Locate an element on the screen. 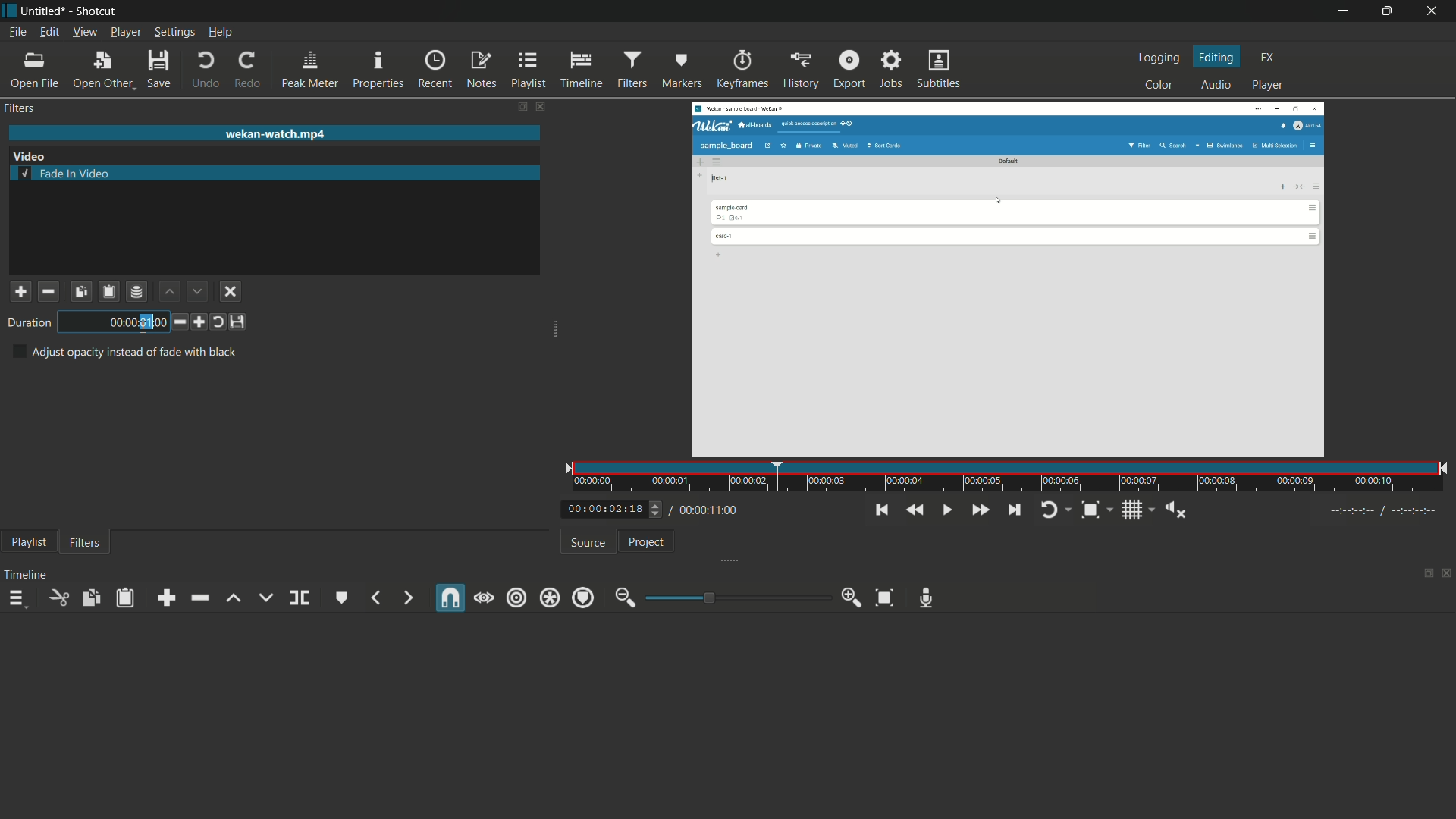 This screenshot has width=1456, height=819. video is located at coordinates (30, 156).